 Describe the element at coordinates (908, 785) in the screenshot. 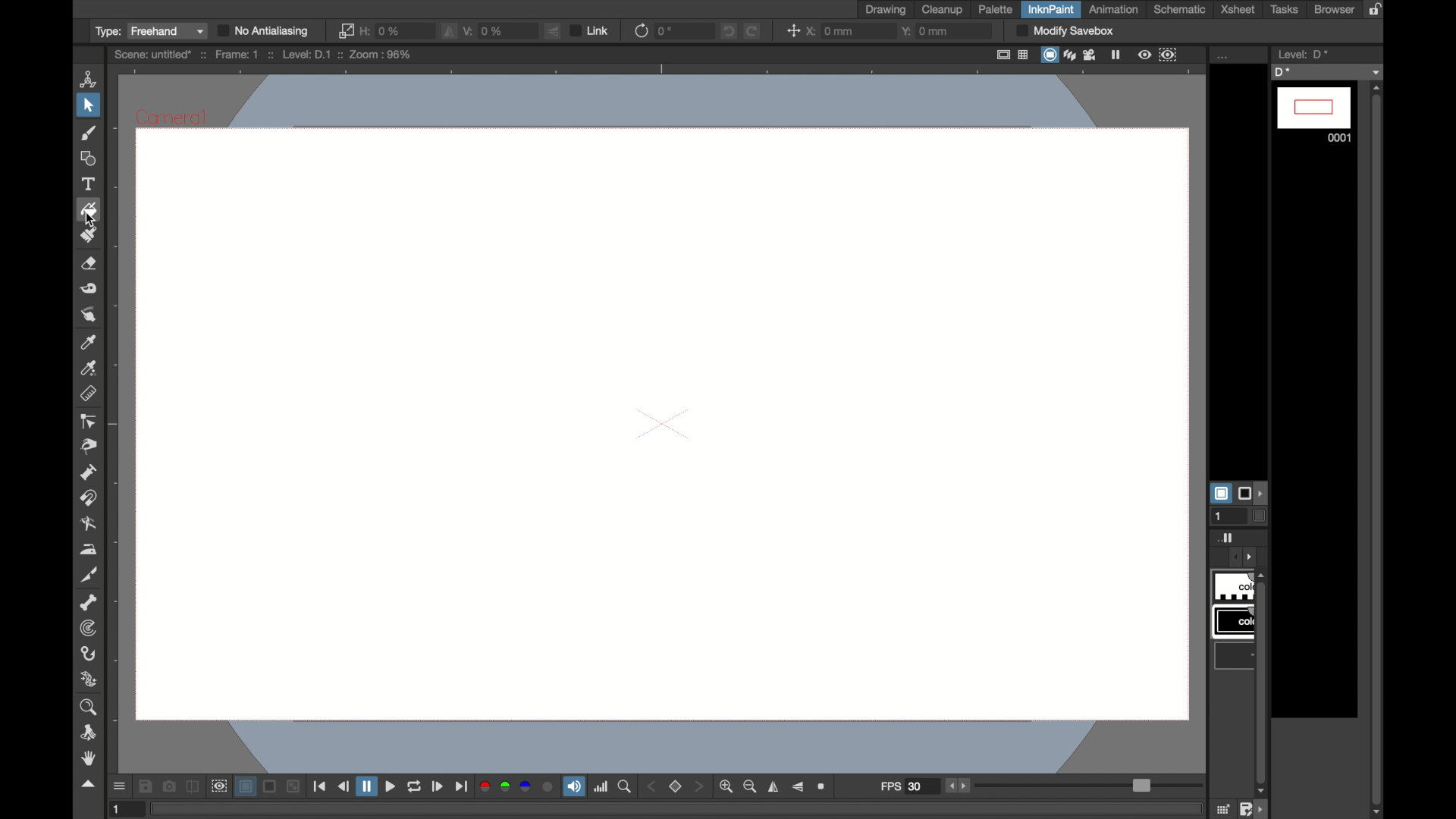

I see `fps` at that location.